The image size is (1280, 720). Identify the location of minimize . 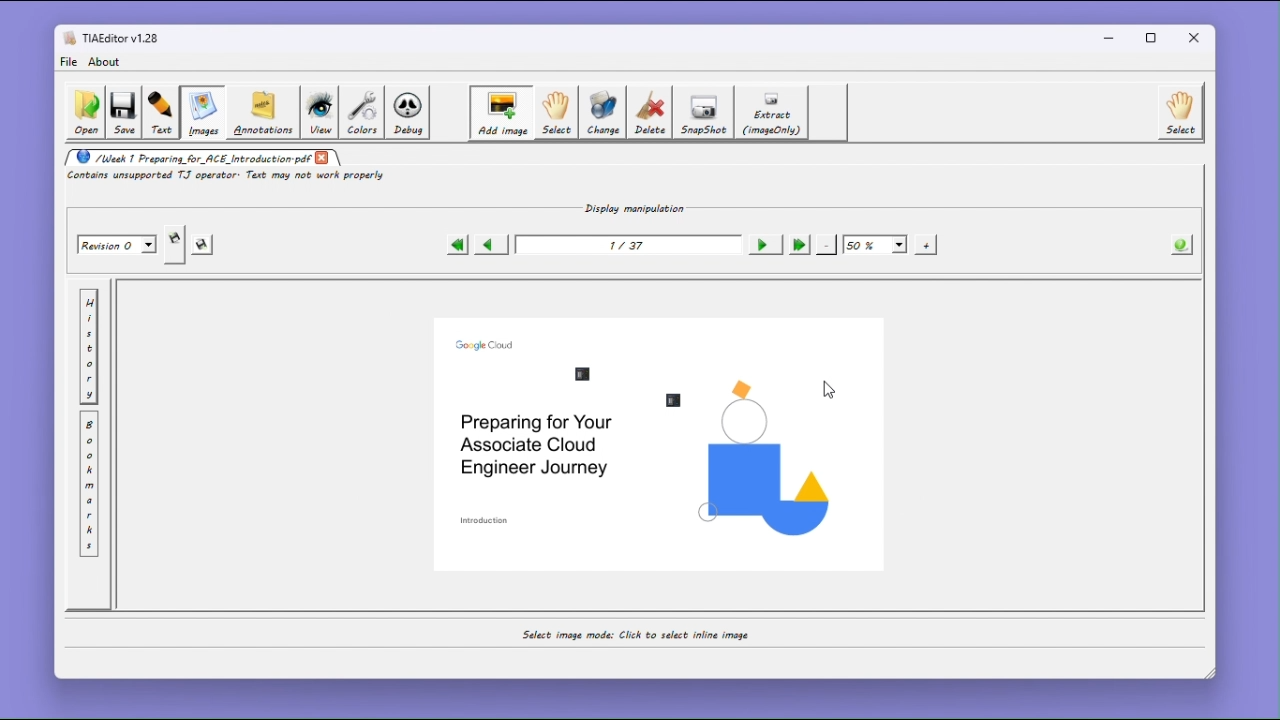
(1109, 37).